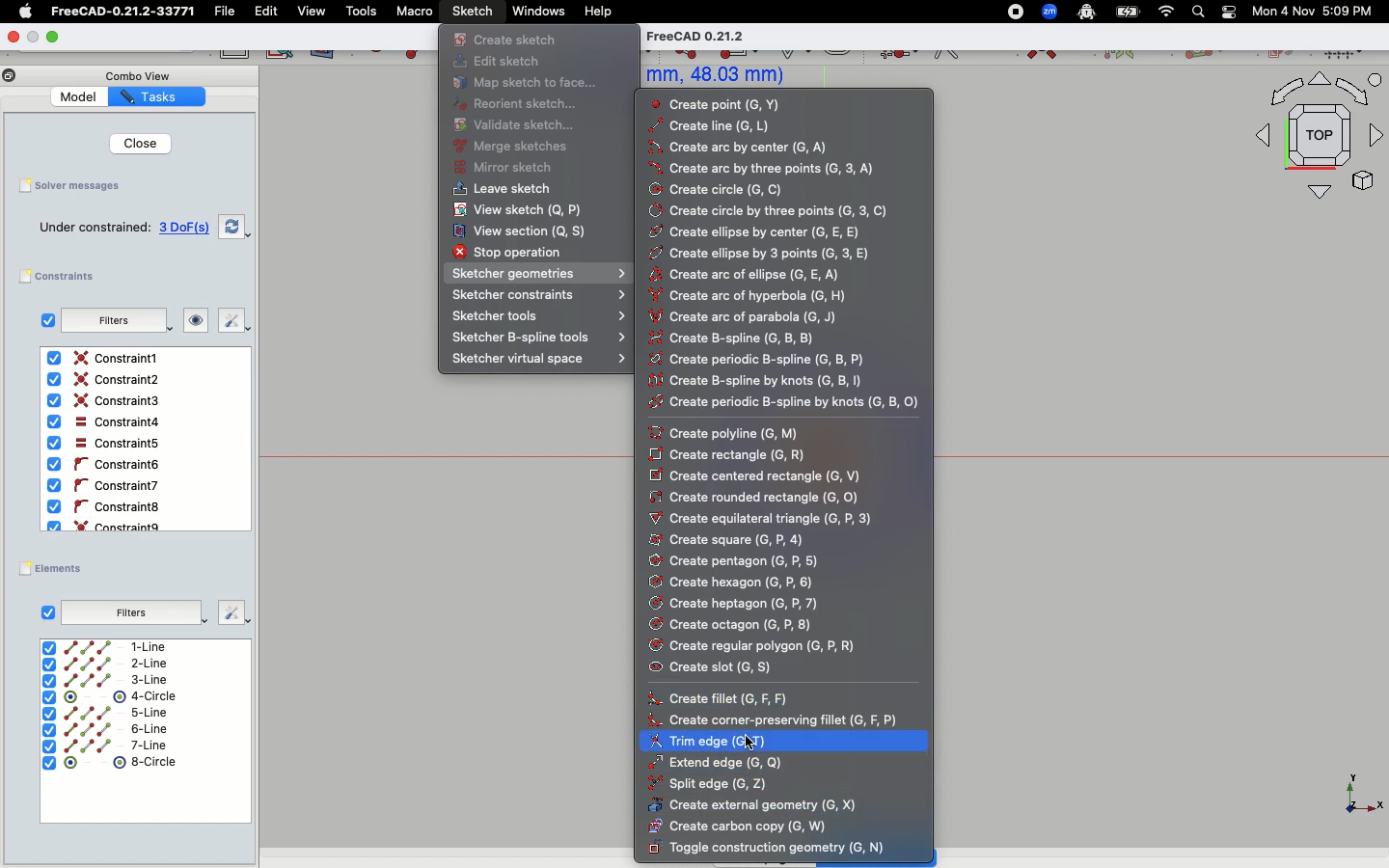 This screenshot has width=1389, height=868. I want to click on Help, so click(599, 10).